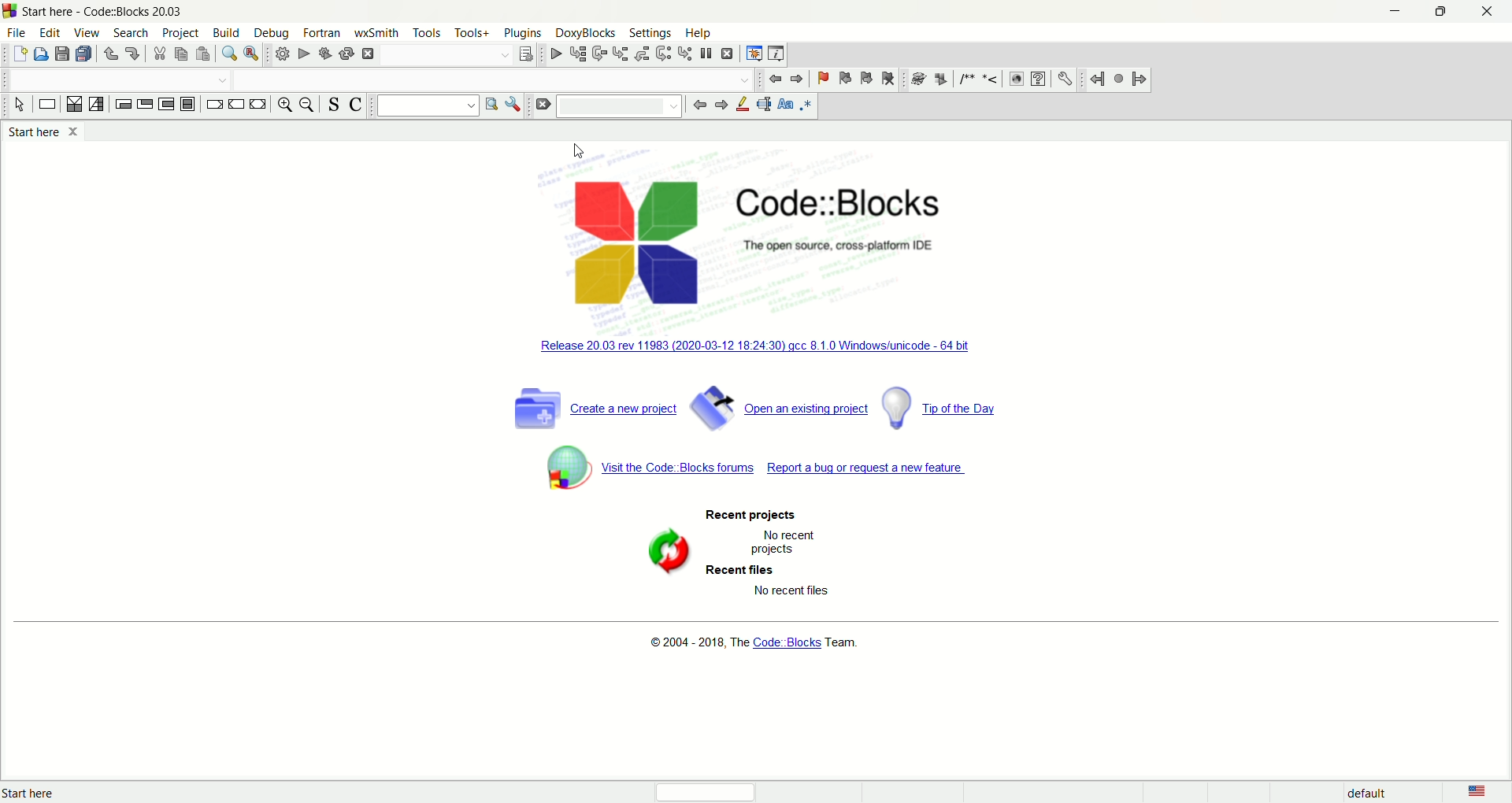 The height and width of the screenshot is (803, 1512). I want to click on fortan, so click(322, 32).